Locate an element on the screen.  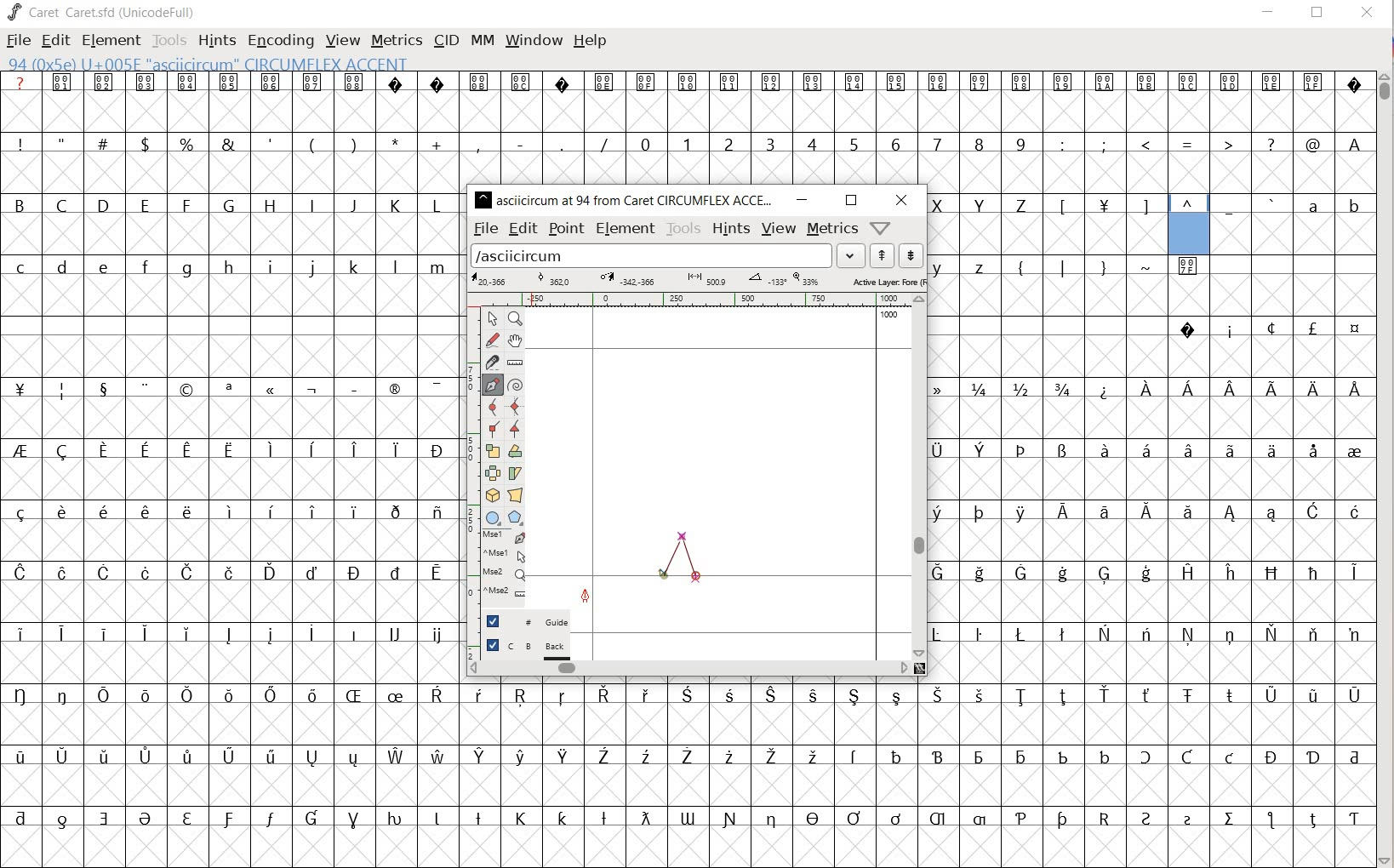
HINTS is located at coordinates (217, 40).